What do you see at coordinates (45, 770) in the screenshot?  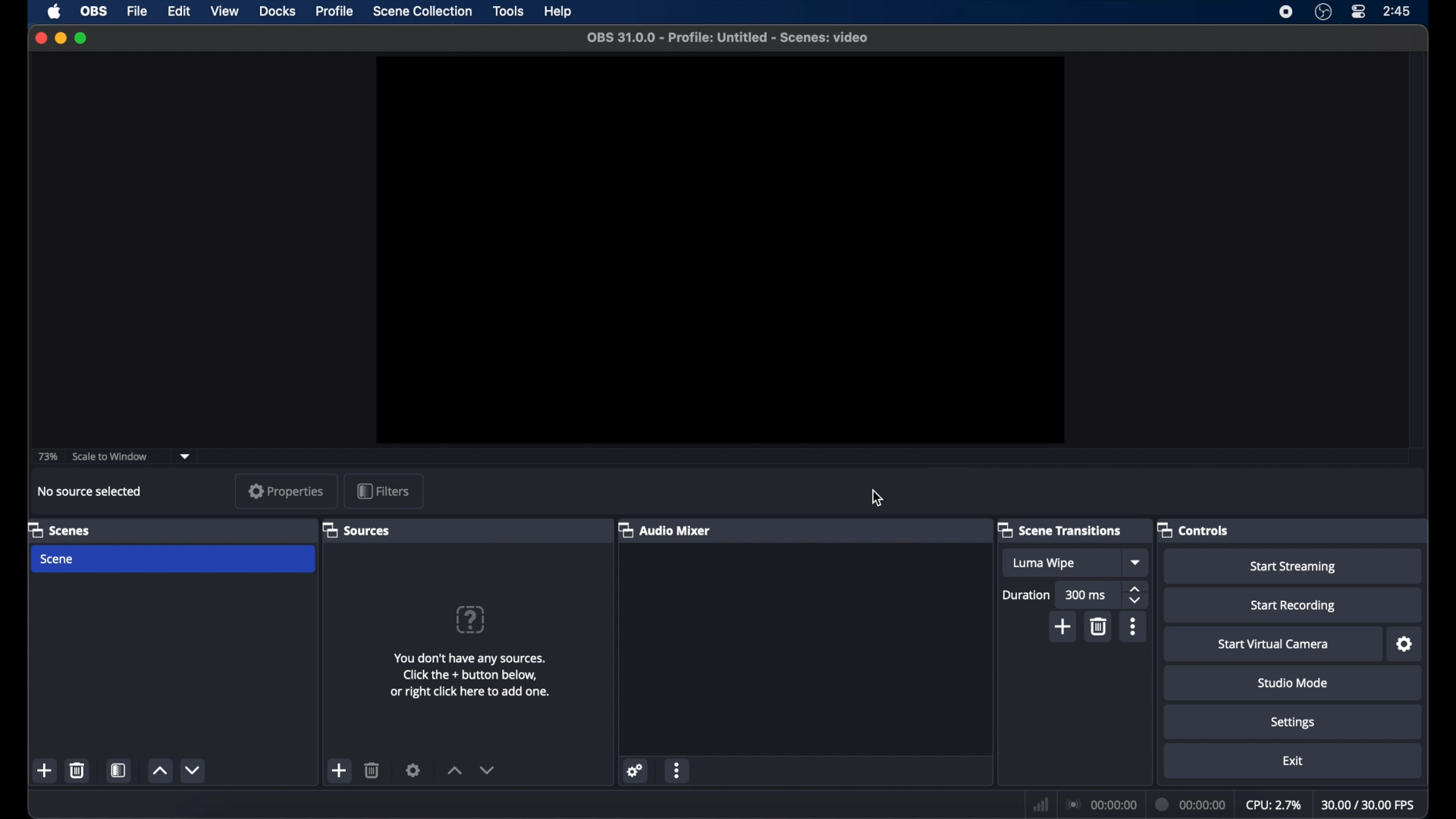 I see `add` at bounding box center [45, 770].